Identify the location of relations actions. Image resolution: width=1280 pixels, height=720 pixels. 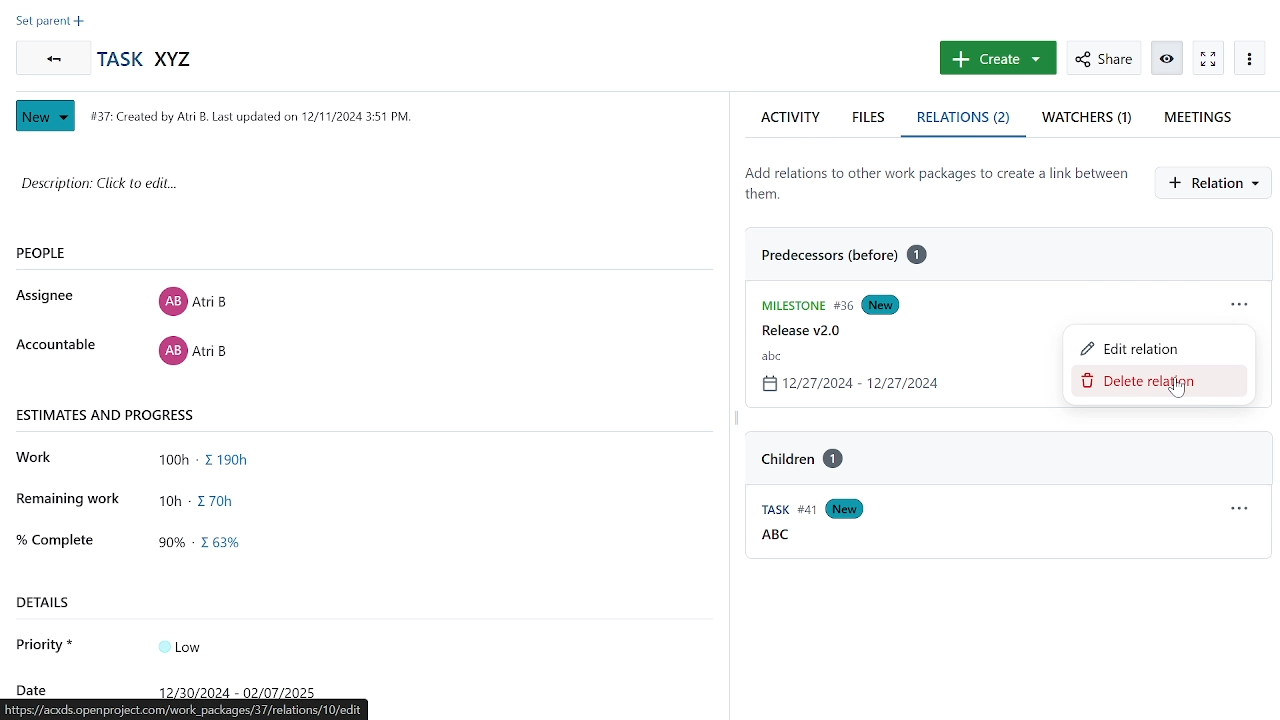
(1242, 303).